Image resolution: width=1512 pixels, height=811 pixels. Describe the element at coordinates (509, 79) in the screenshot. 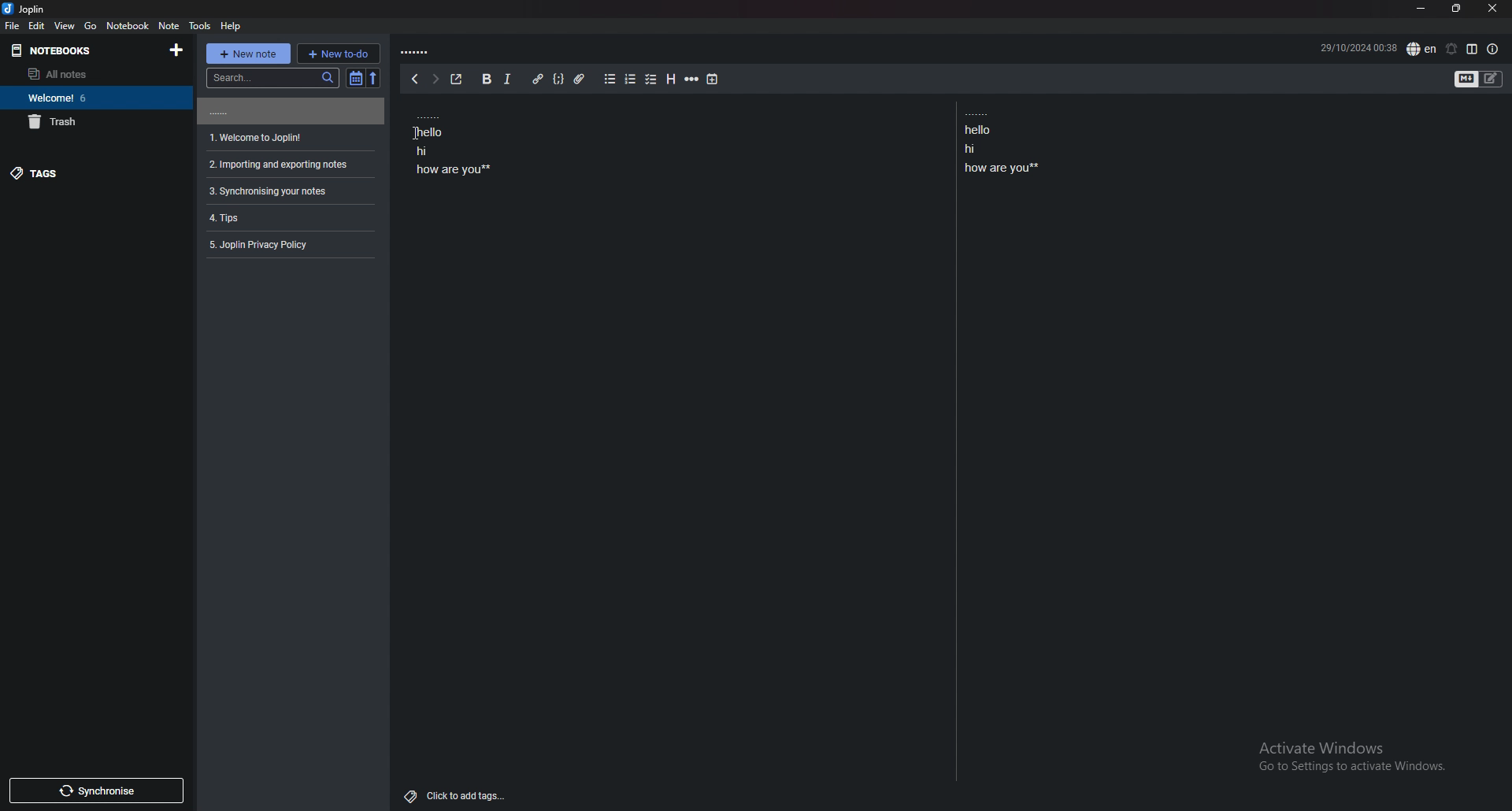

I see `italic` at that location.